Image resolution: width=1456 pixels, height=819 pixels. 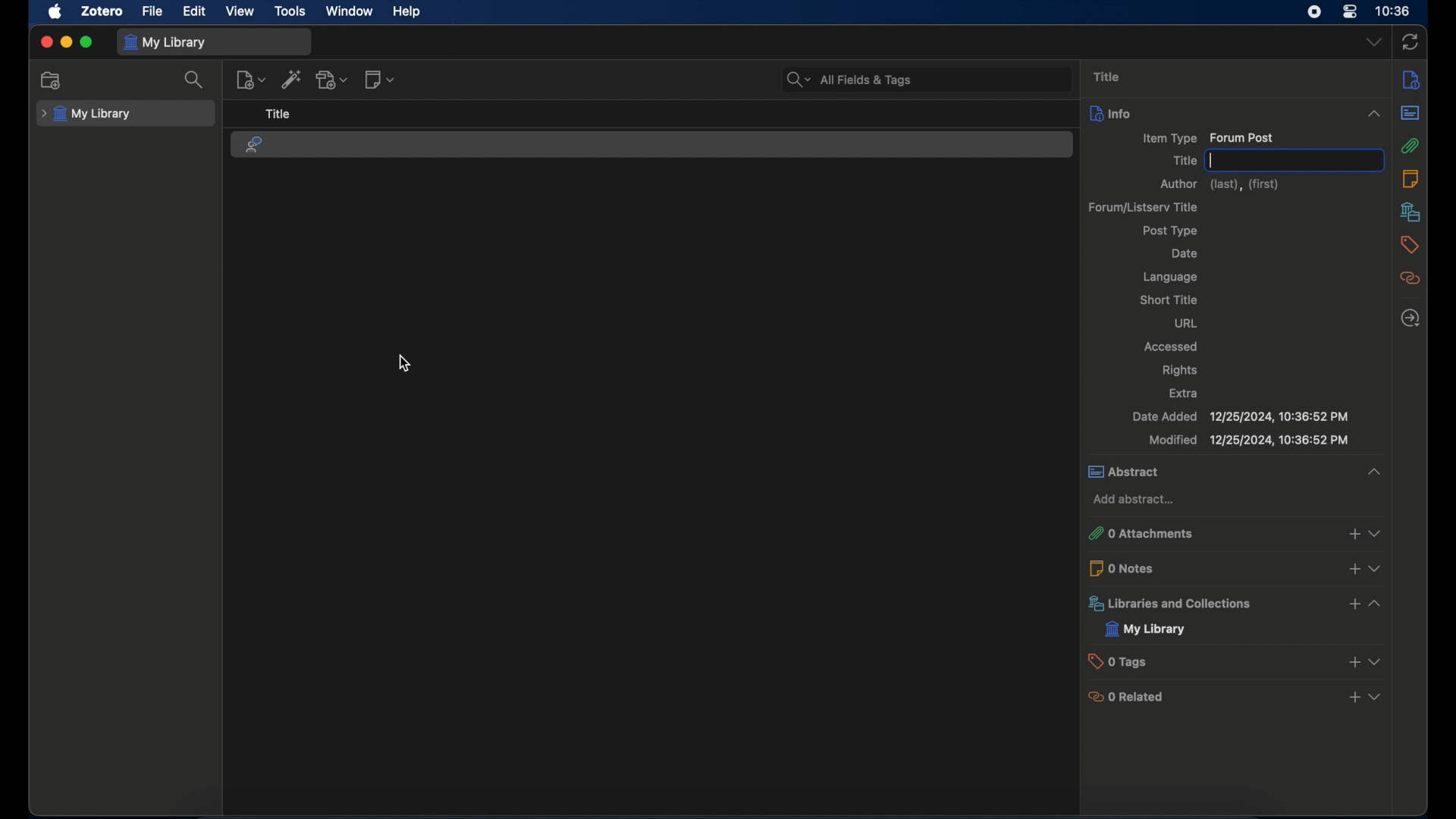 I want to click on dropdown, so click(x=1373, y=42).